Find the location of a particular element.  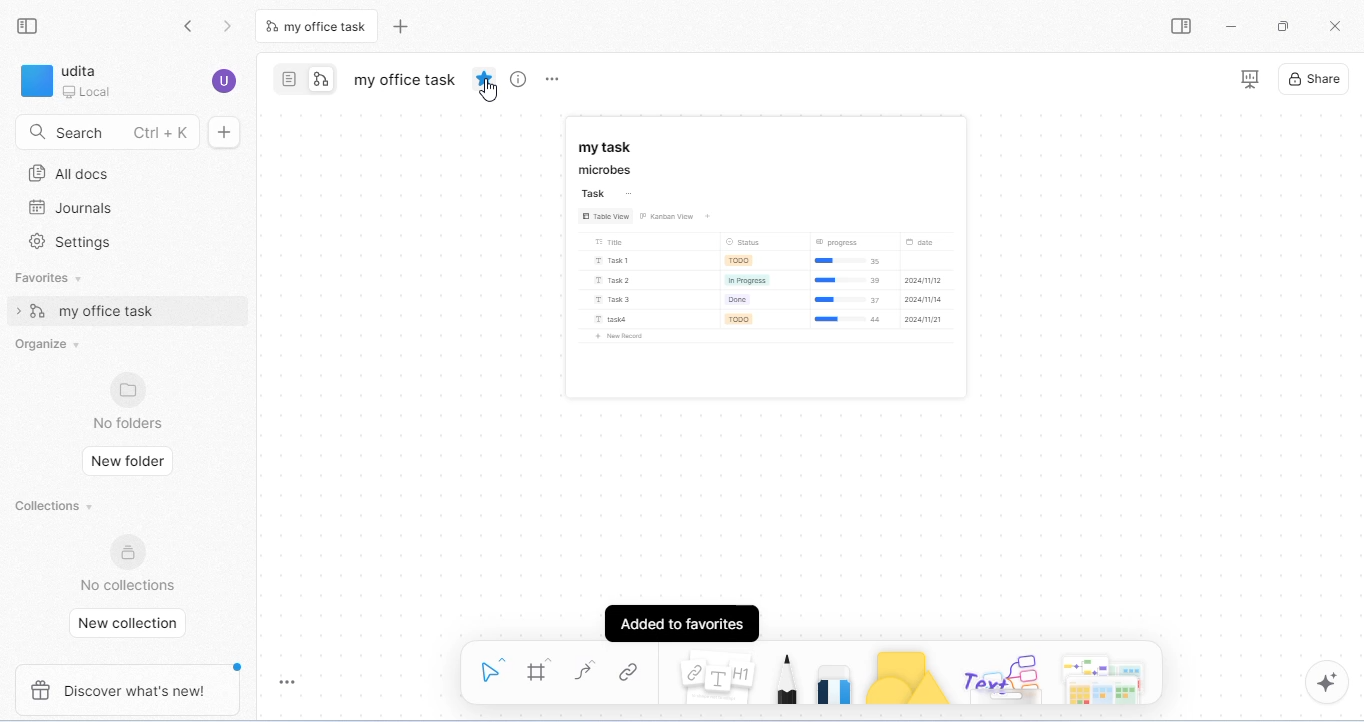

arrows and more is located at coordinates (1109, 675).